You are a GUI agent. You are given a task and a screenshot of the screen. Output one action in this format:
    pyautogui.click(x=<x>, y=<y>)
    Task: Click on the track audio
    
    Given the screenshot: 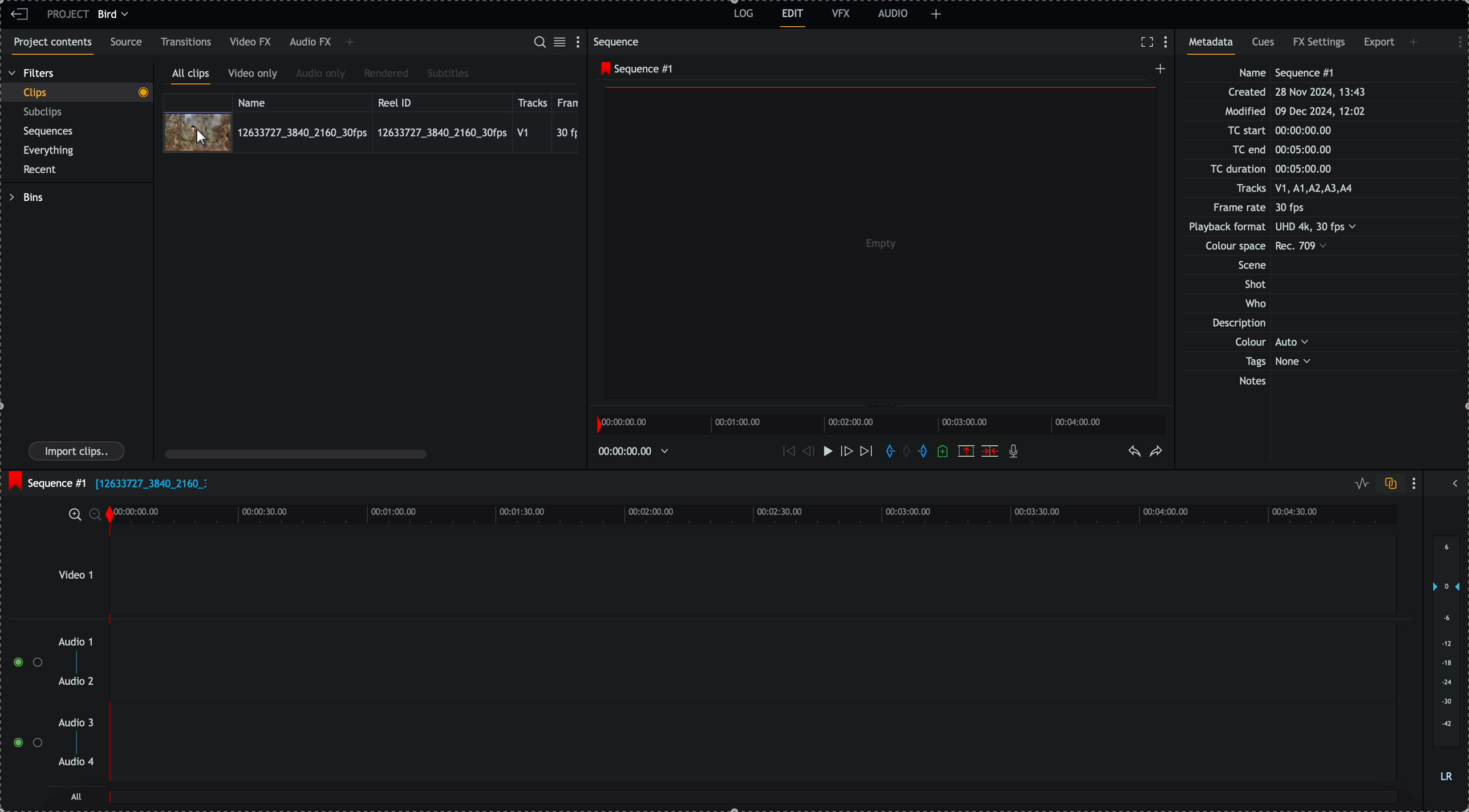 What is the action you would take?
    pyautogui.click(x=752, y=666)
    